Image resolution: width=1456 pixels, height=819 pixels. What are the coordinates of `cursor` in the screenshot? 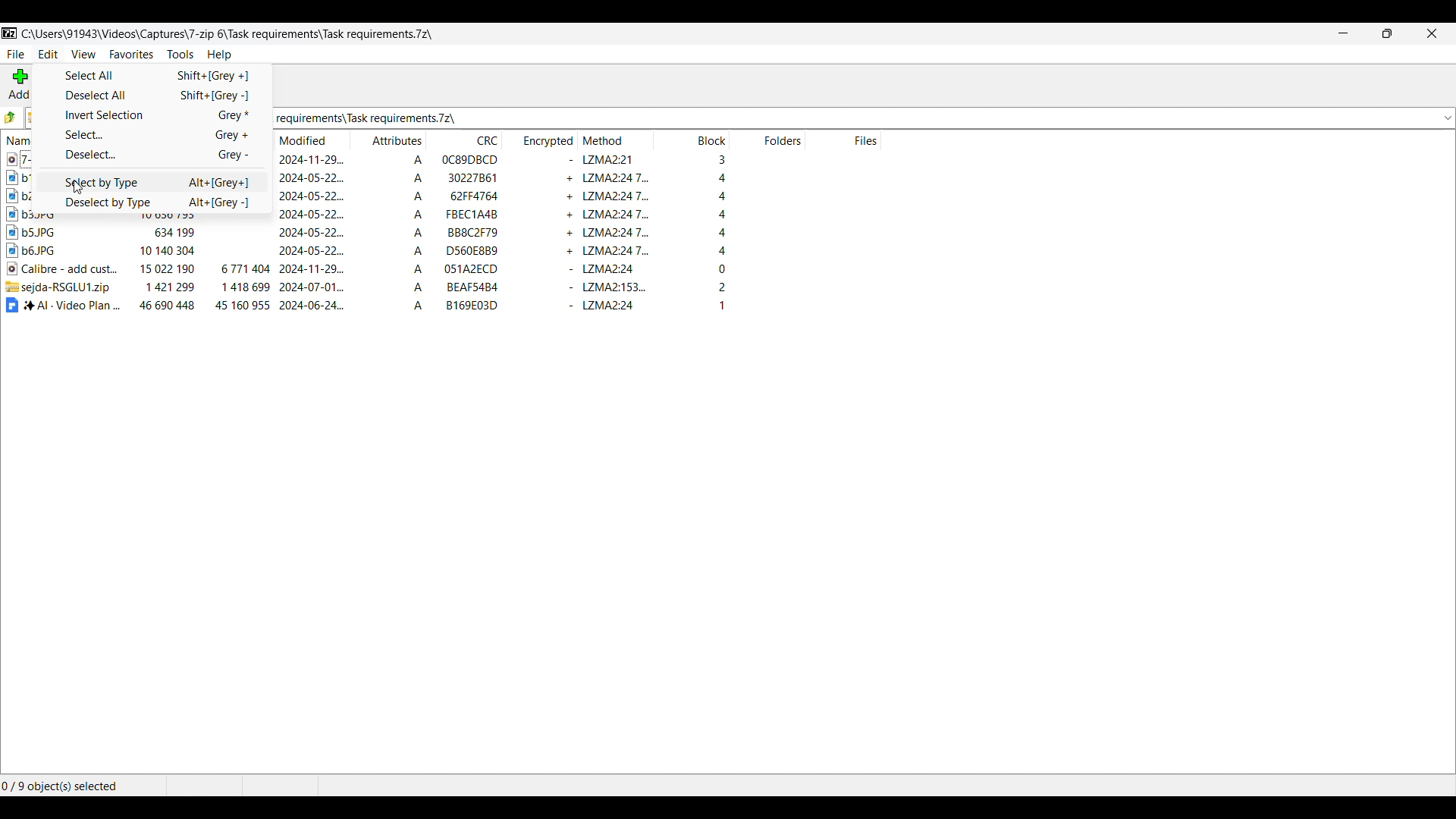 It's located at (80, 188).